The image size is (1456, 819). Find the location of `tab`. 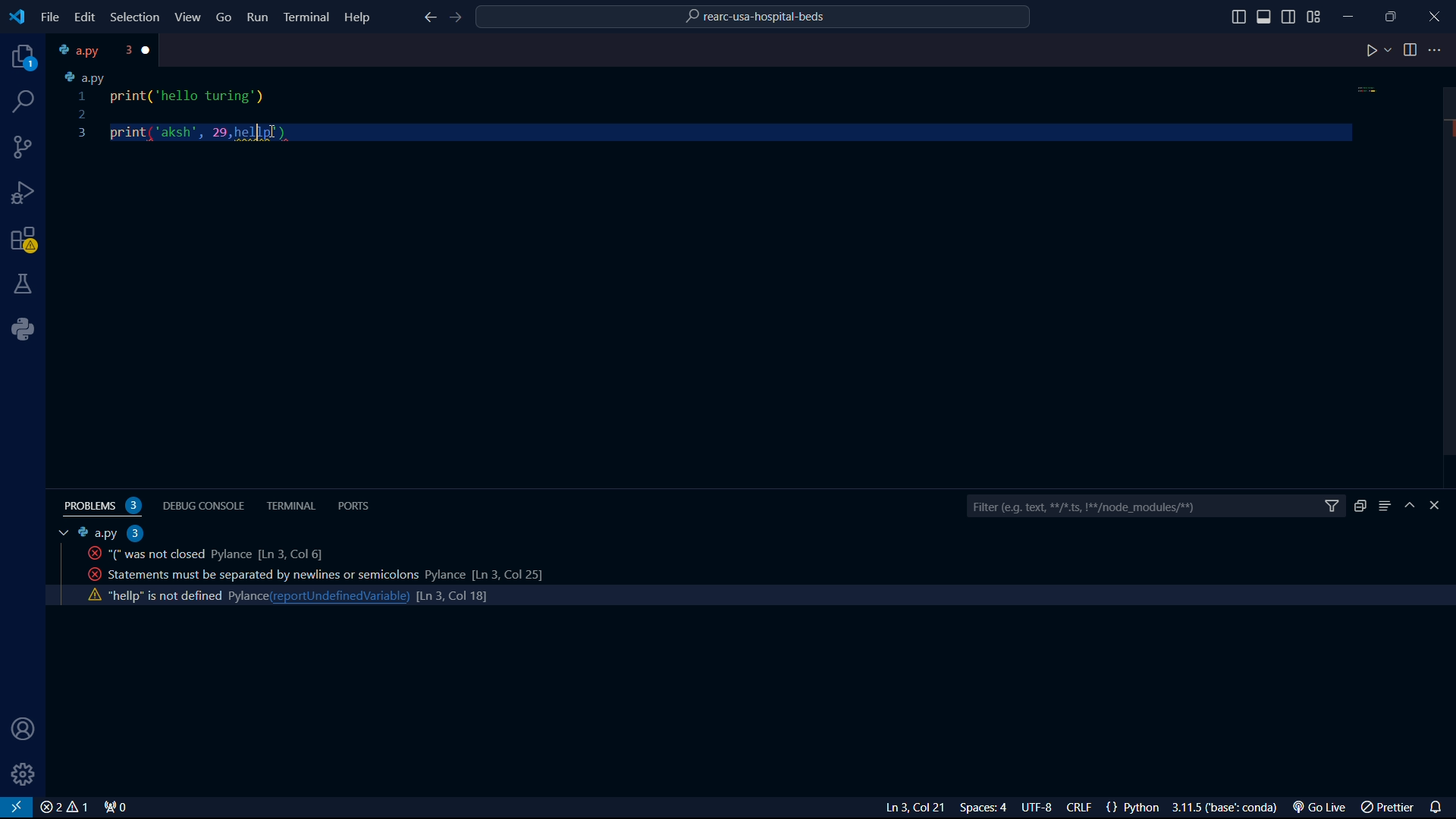

tab is located at coordinates (92, 50).